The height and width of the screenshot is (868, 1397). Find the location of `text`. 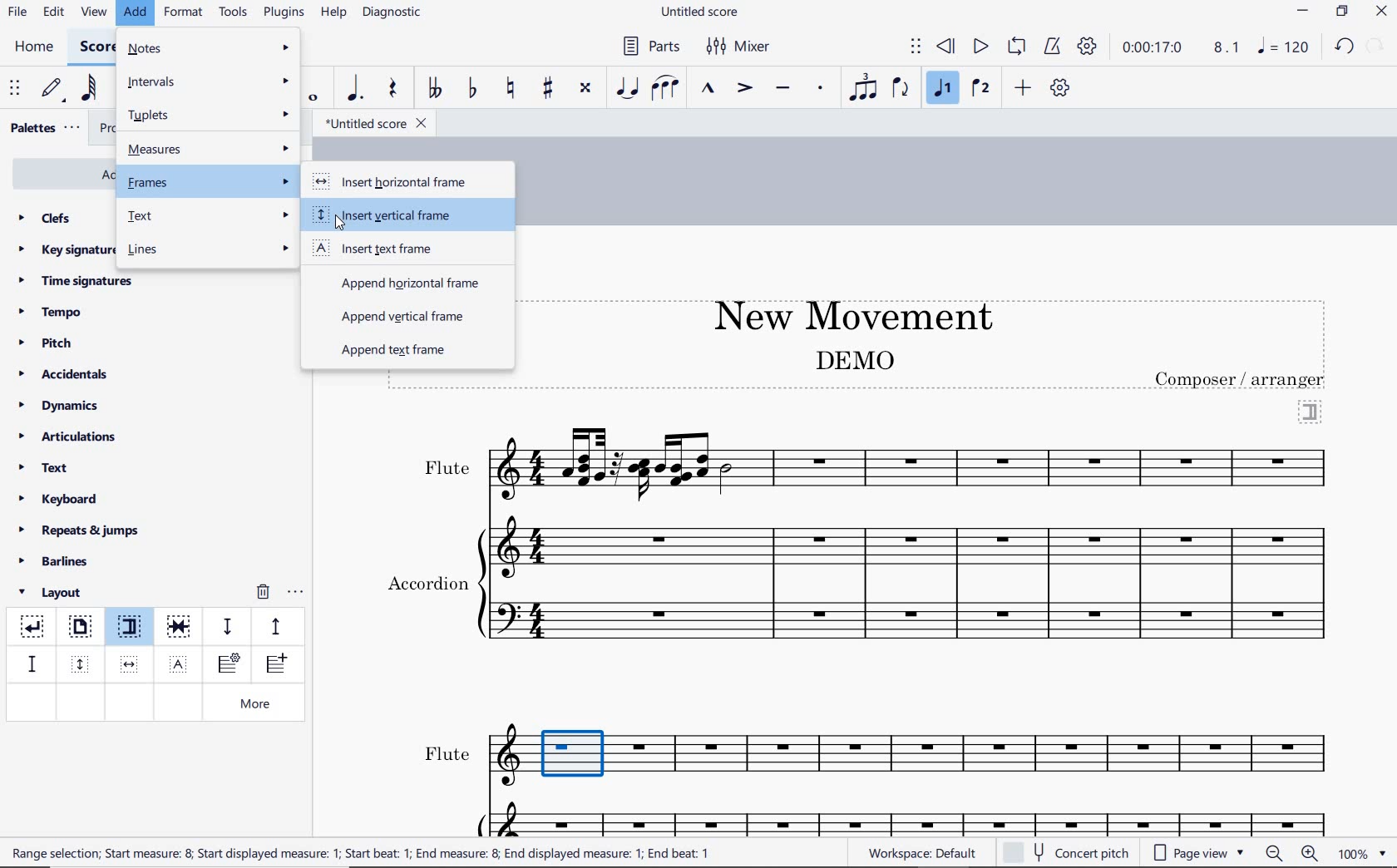

text is located at coordinates (853, 359).